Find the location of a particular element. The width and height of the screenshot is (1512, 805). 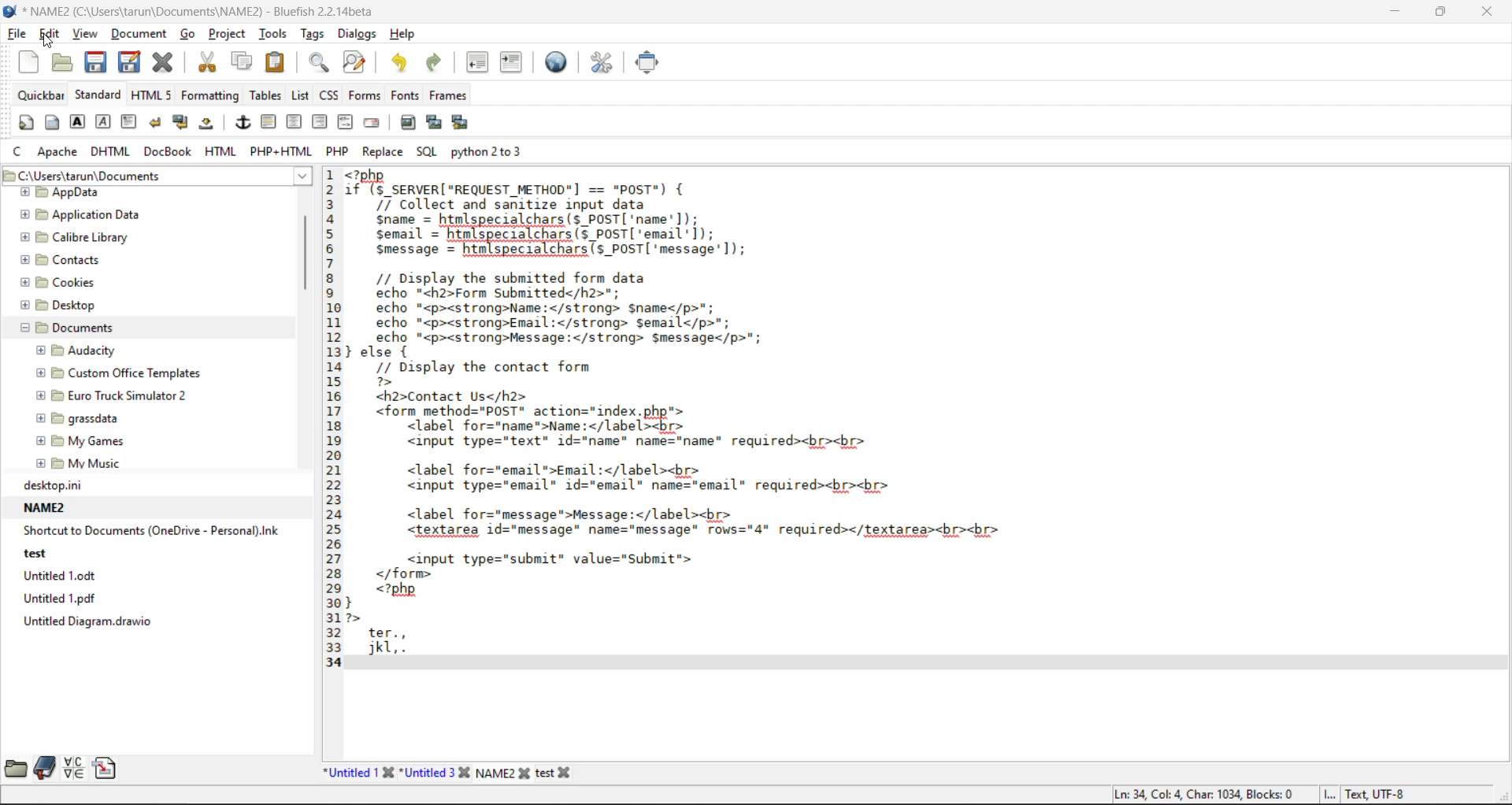

 Euro Truck Simulator 2 is located at coordinates (108, 397).